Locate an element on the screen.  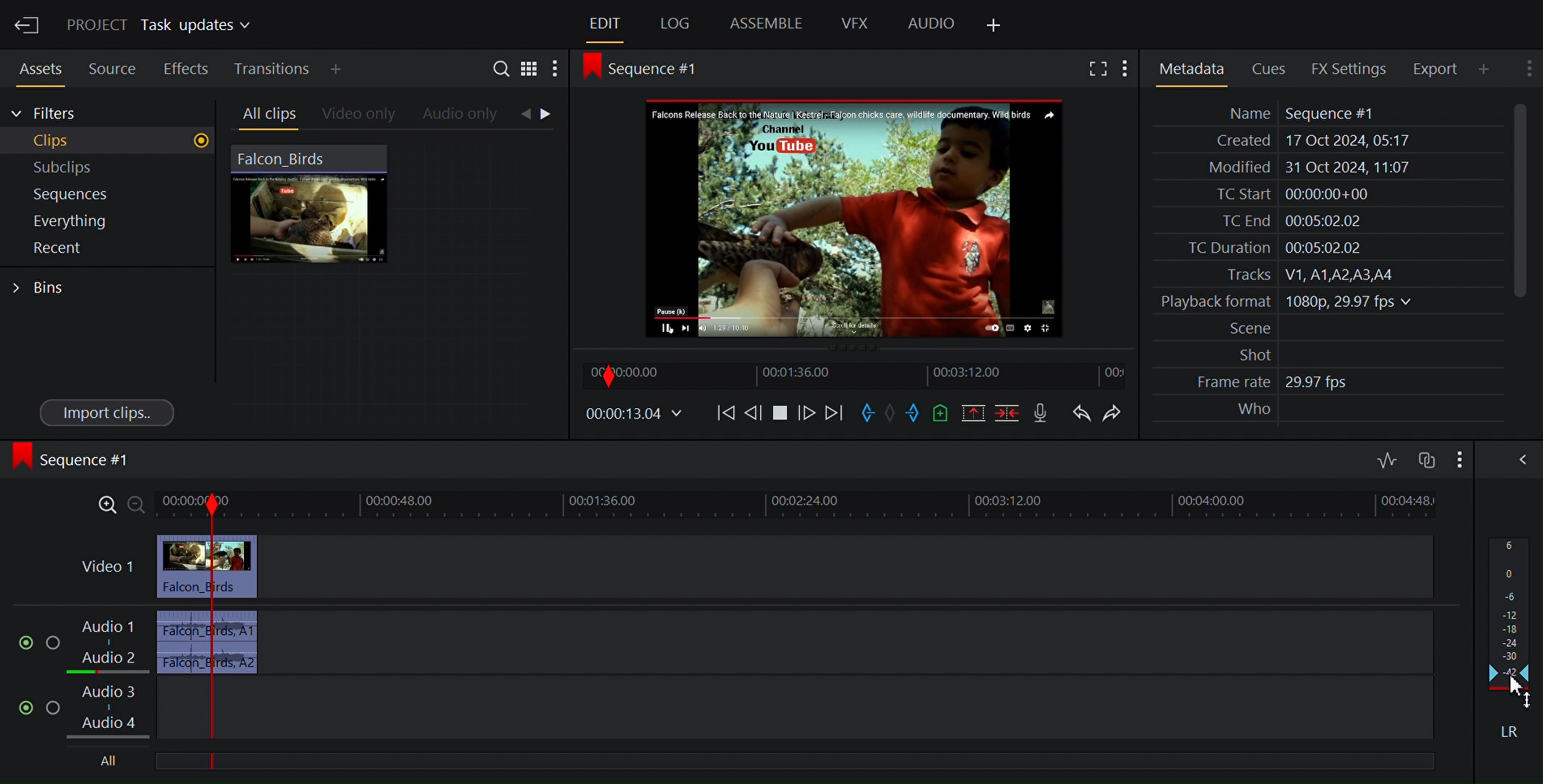
TC Duration  00:05:02.02 is located at coordinates (1263, 248).